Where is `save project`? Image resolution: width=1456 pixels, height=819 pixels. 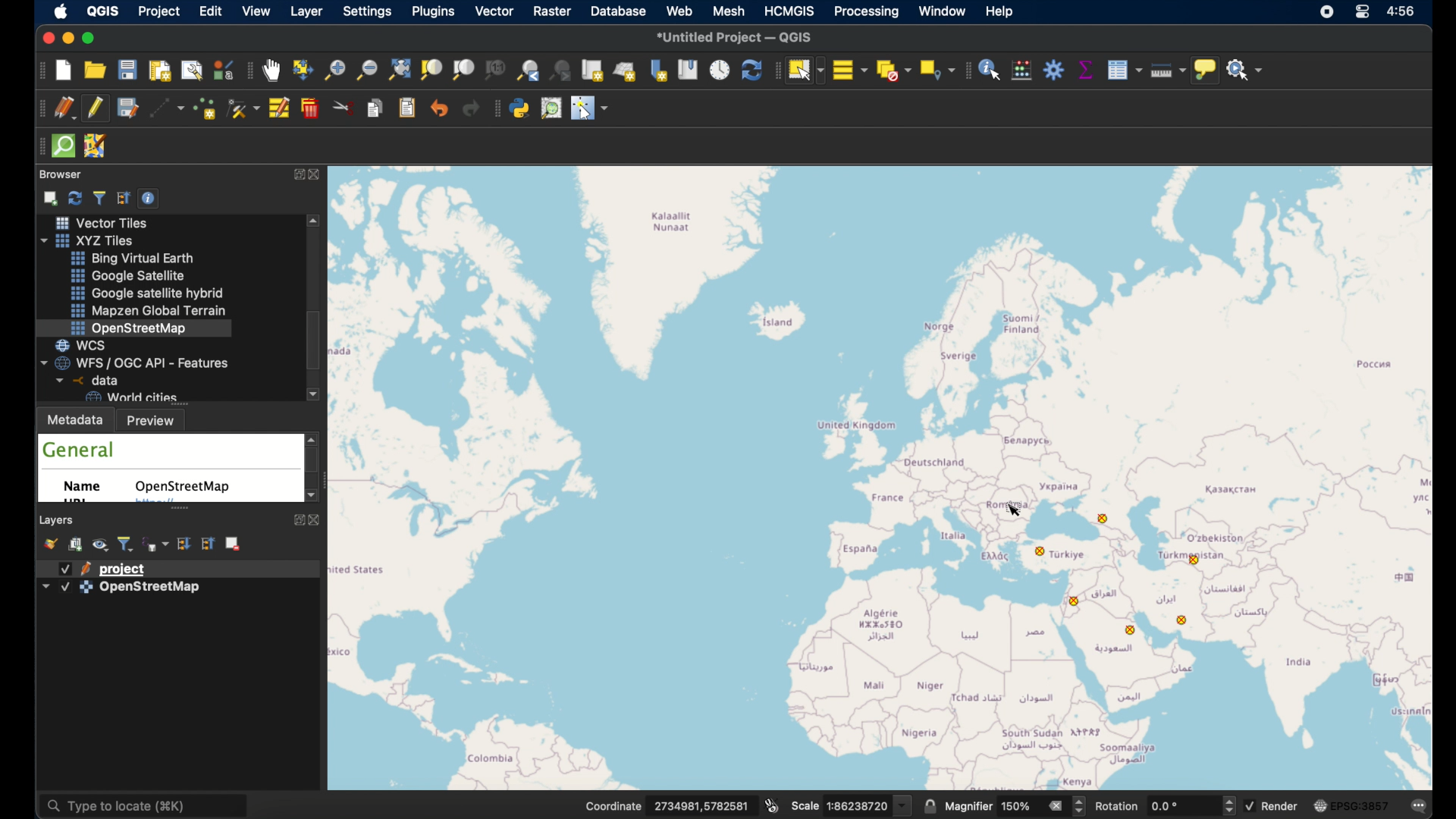 save project is located at coordinates (128, 70).